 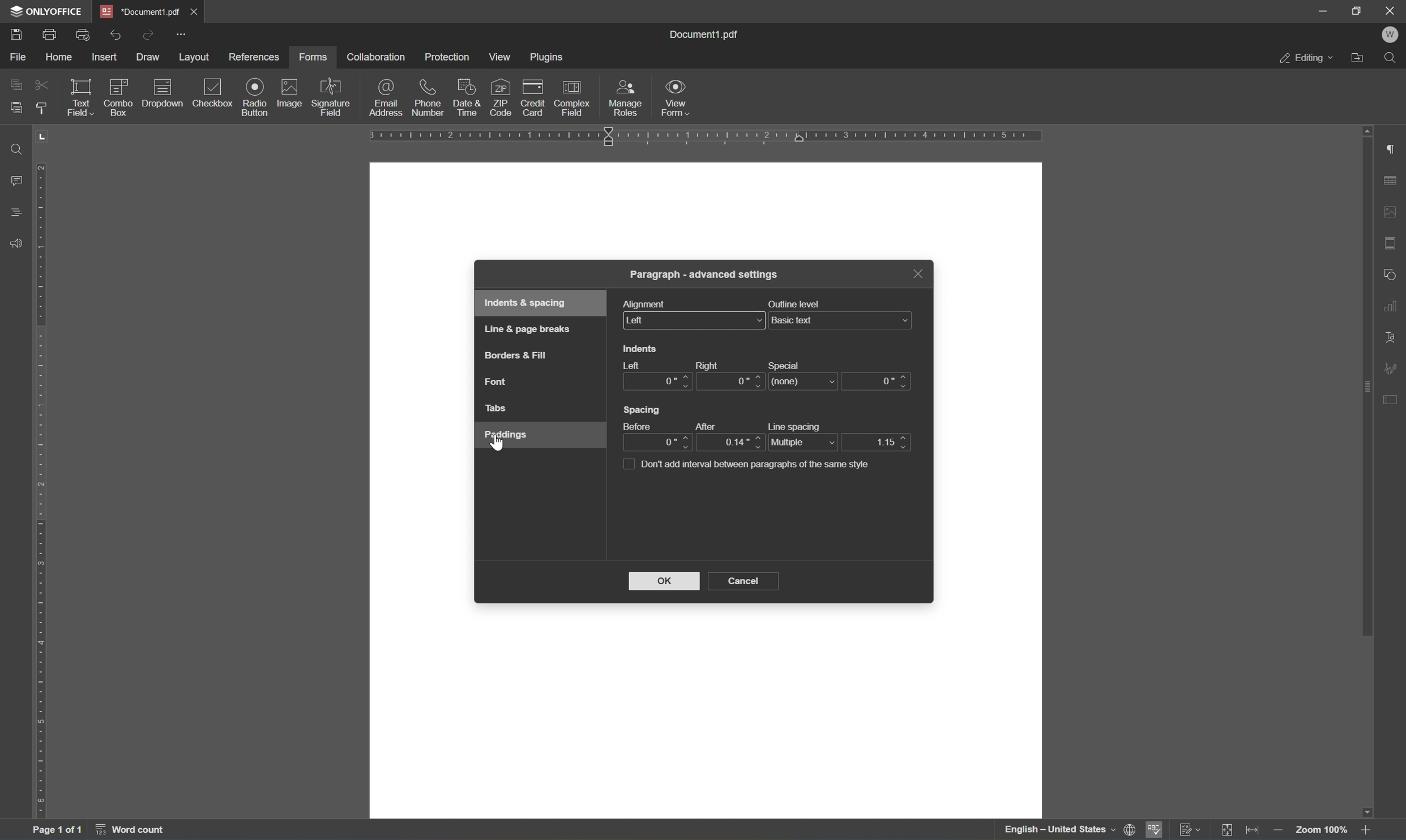 I want to click on Cursor, so click(x=500, y=446).